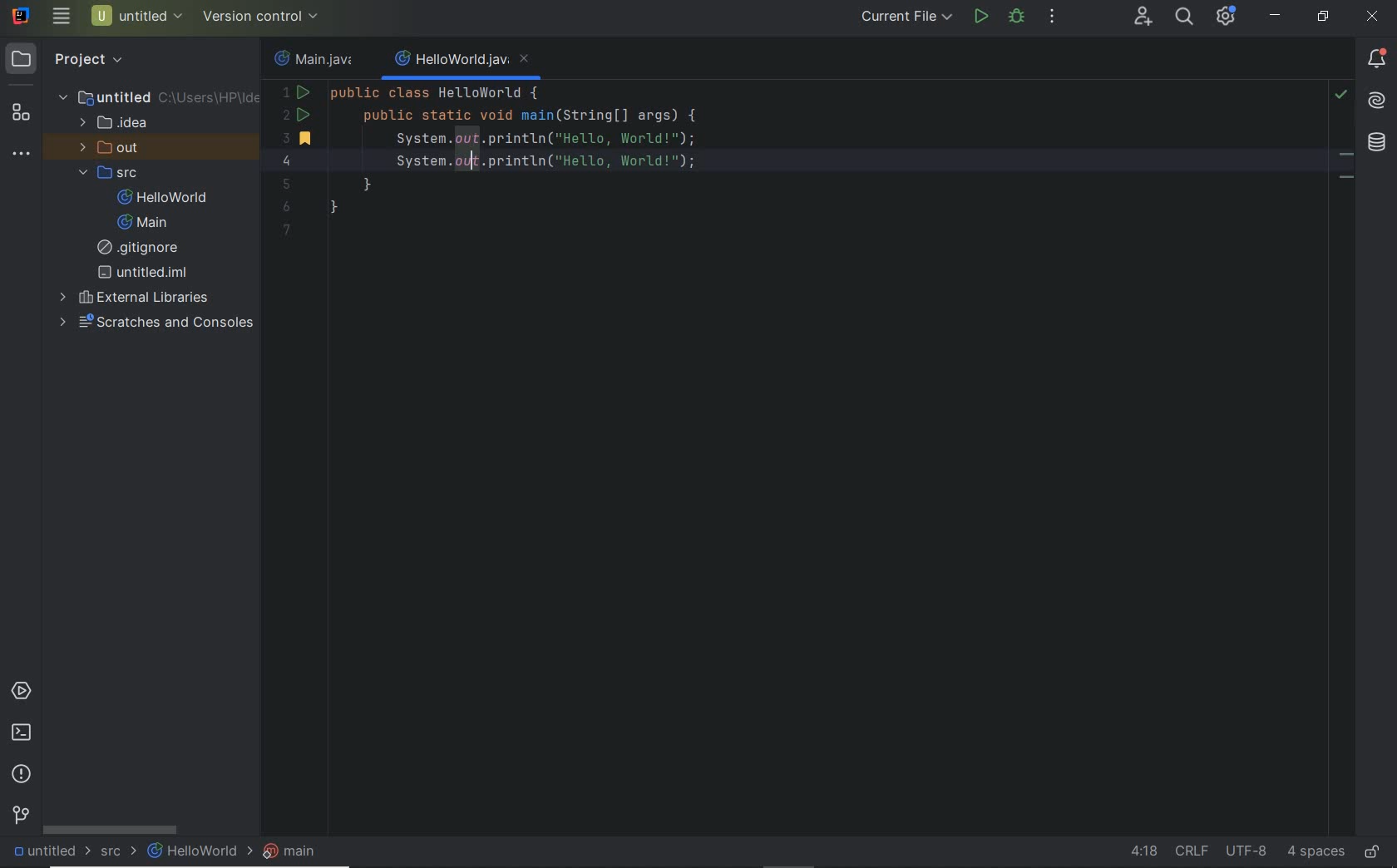 This screenshot has height=868, width=1397. Describe the element at coordinates (1374, 849) in the screenshot. I see `Edit or read only` at that location.